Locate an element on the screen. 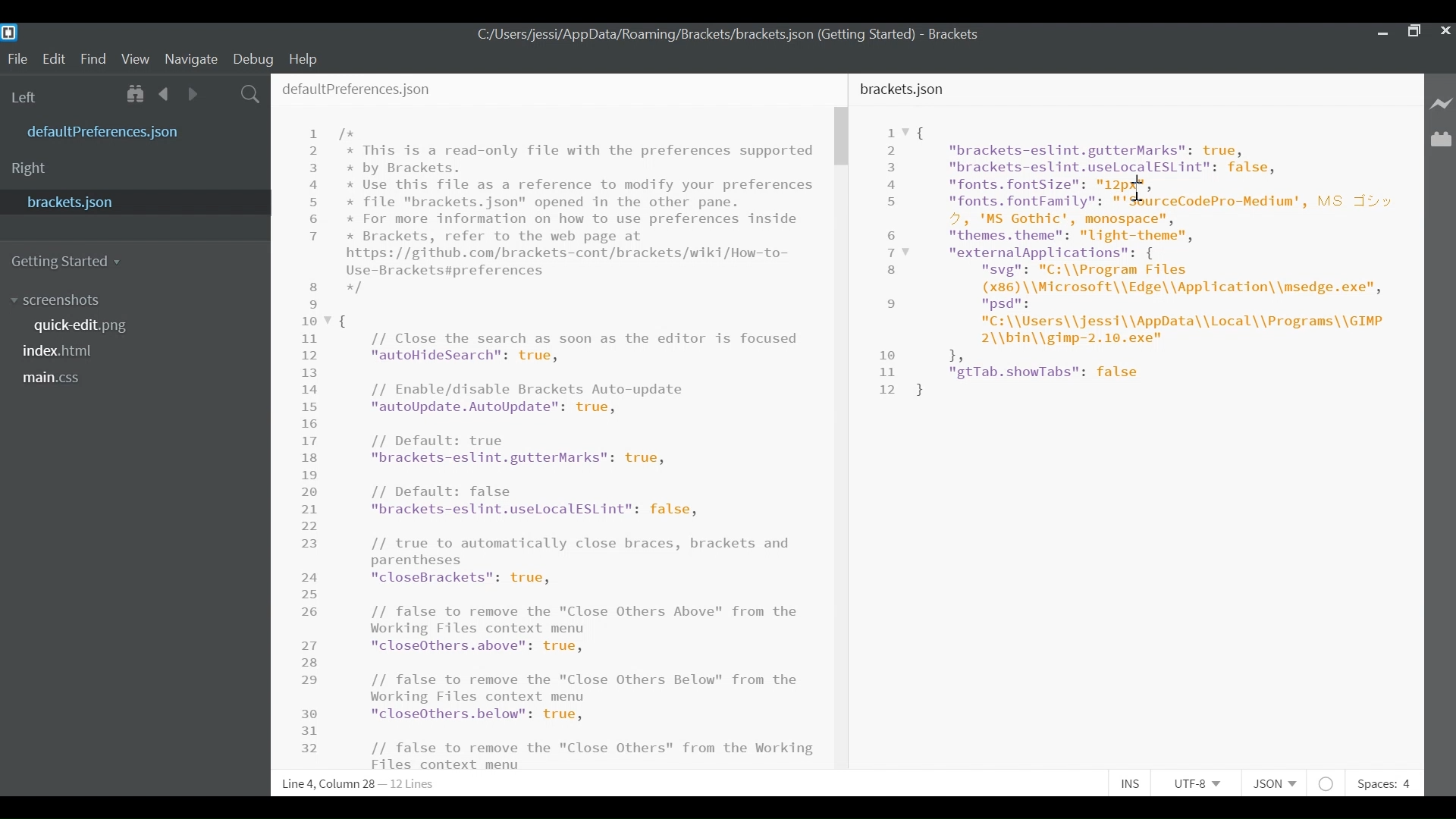 Image resolution: width=1456 pixels, height=819 pixels. Vertical Scroll bar is located at coordinates (840, 137).